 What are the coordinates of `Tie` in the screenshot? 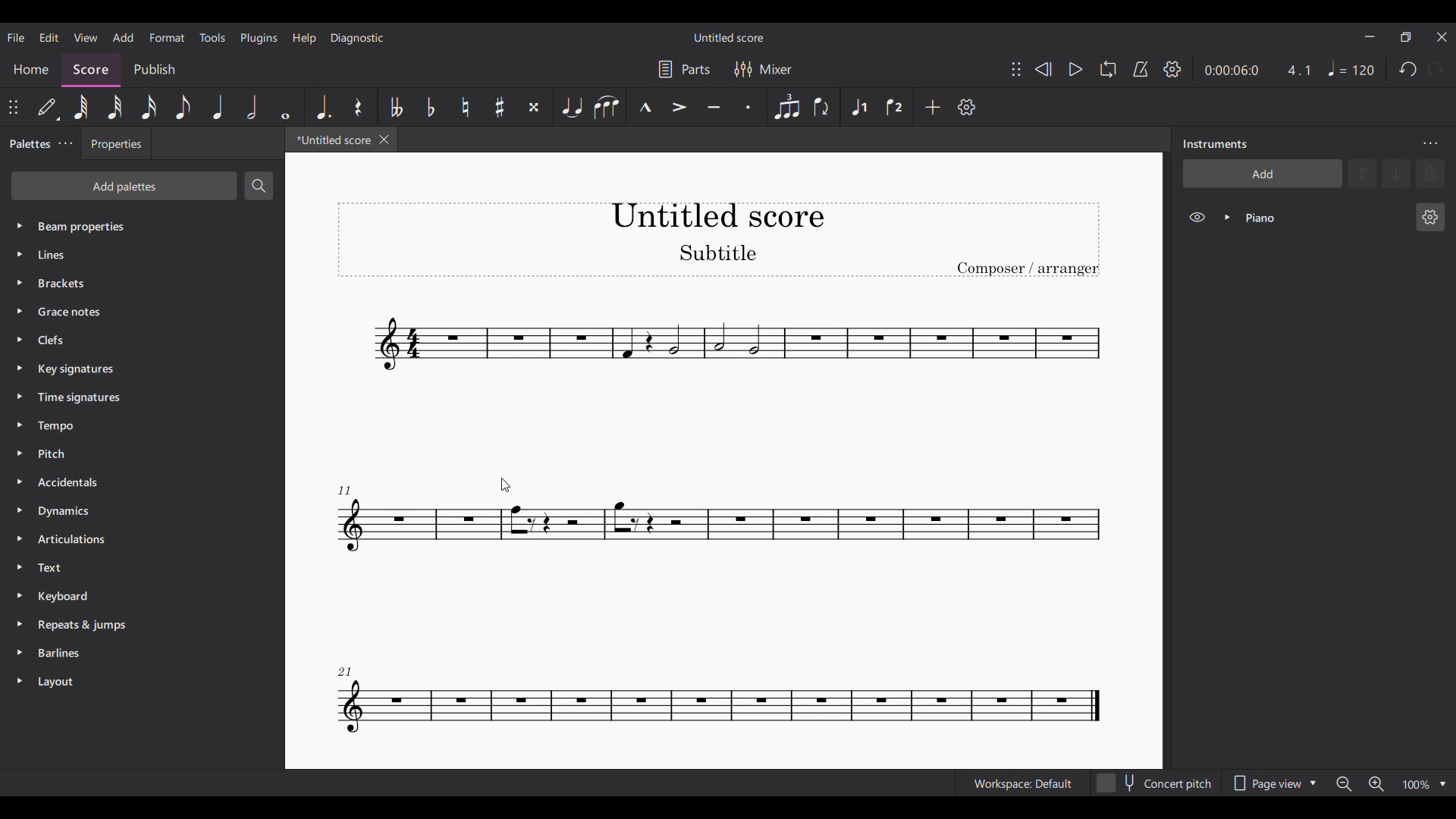 It's located at (573, 107).